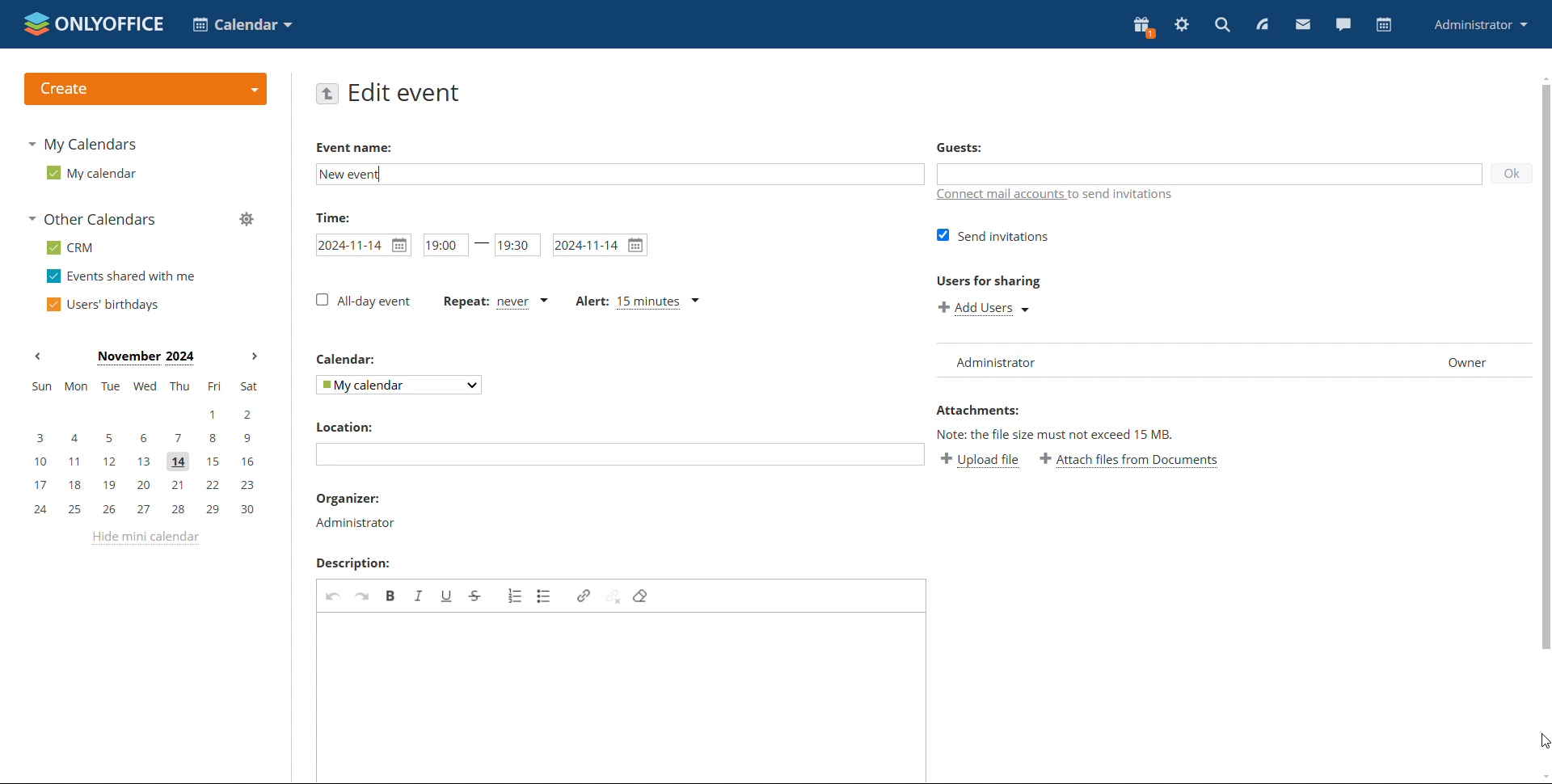  I want to click on users' birthdays, so click(101, 306).